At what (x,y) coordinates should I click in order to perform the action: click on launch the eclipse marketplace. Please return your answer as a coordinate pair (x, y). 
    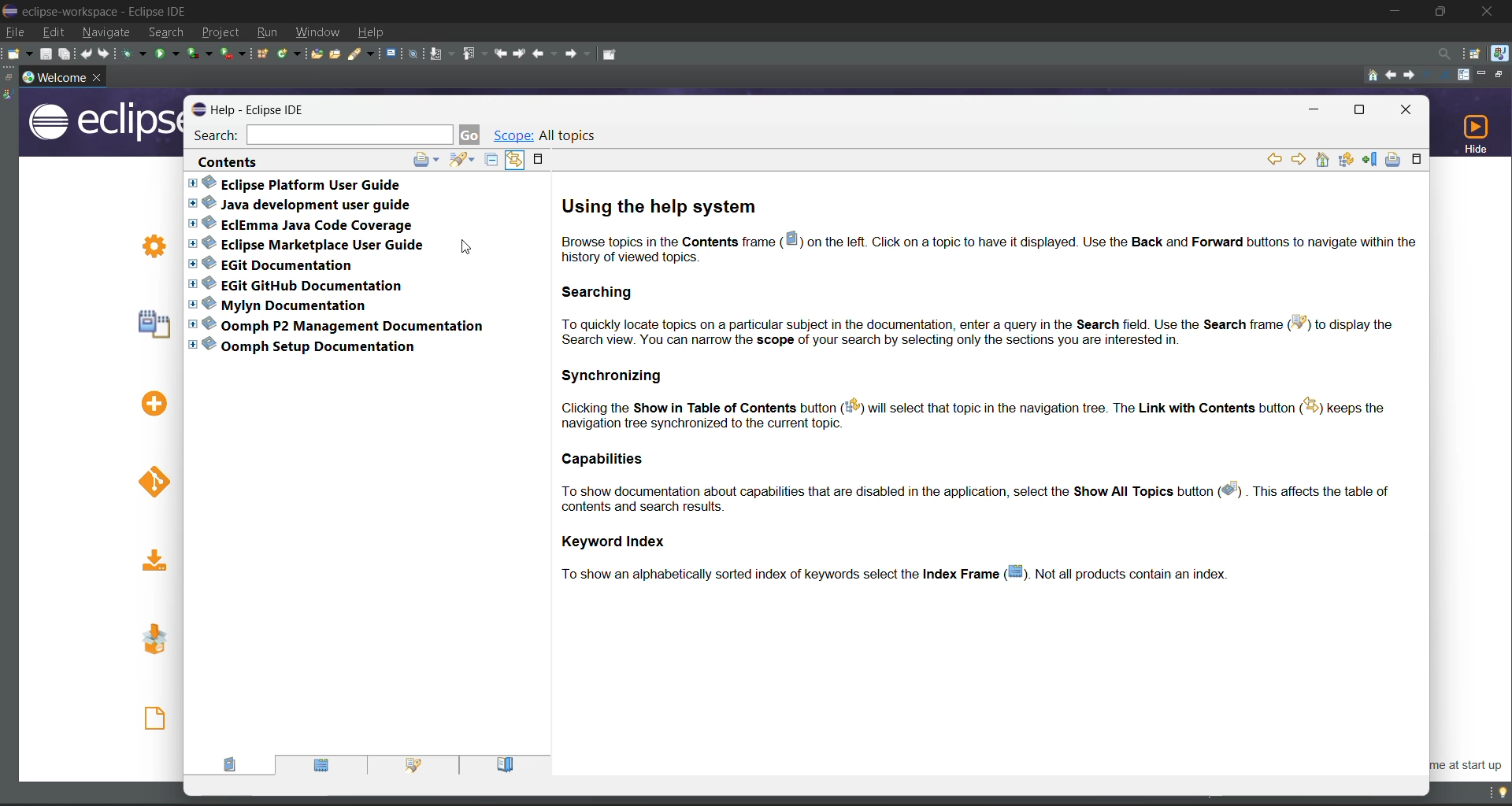
    Looking at the image, I should click on (159, 648).